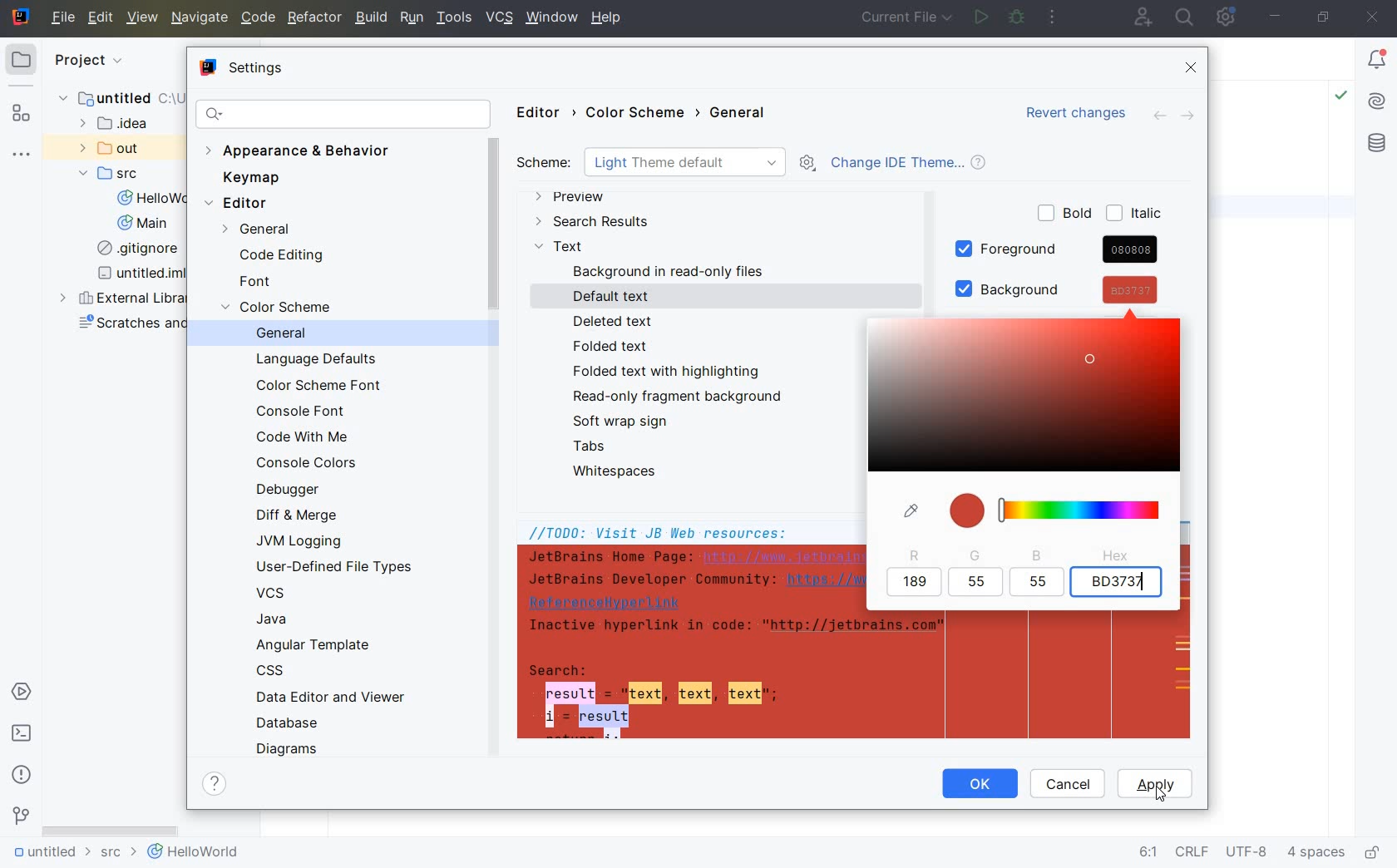  What do you see at coordinates (674, 397) in the screenshot?
I see `READ-ONLY FRAGMENT BACKGROUND` at bounding box center [674, 397].